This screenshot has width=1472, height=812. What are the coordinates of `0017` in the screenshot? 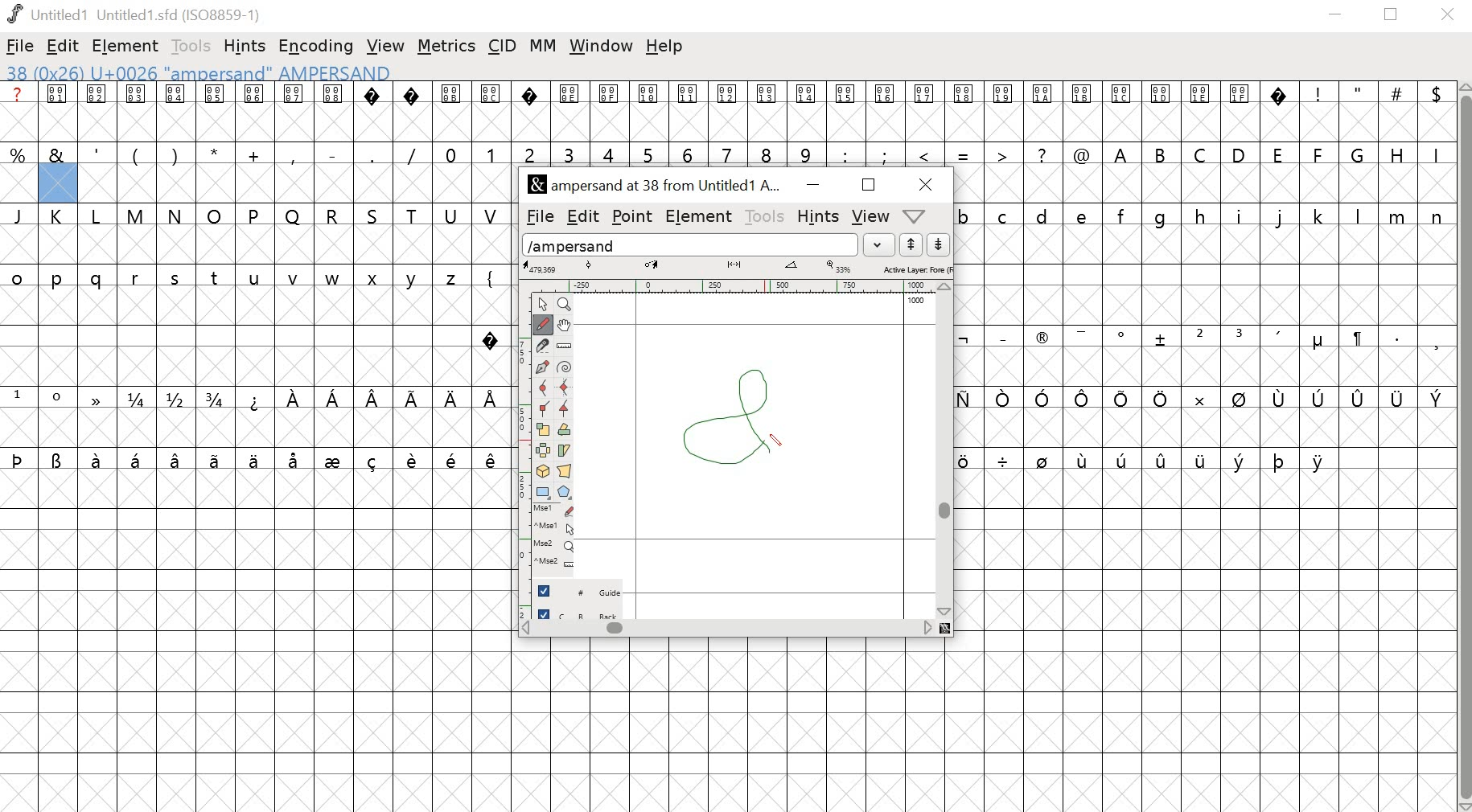 It's located at (925, 112).